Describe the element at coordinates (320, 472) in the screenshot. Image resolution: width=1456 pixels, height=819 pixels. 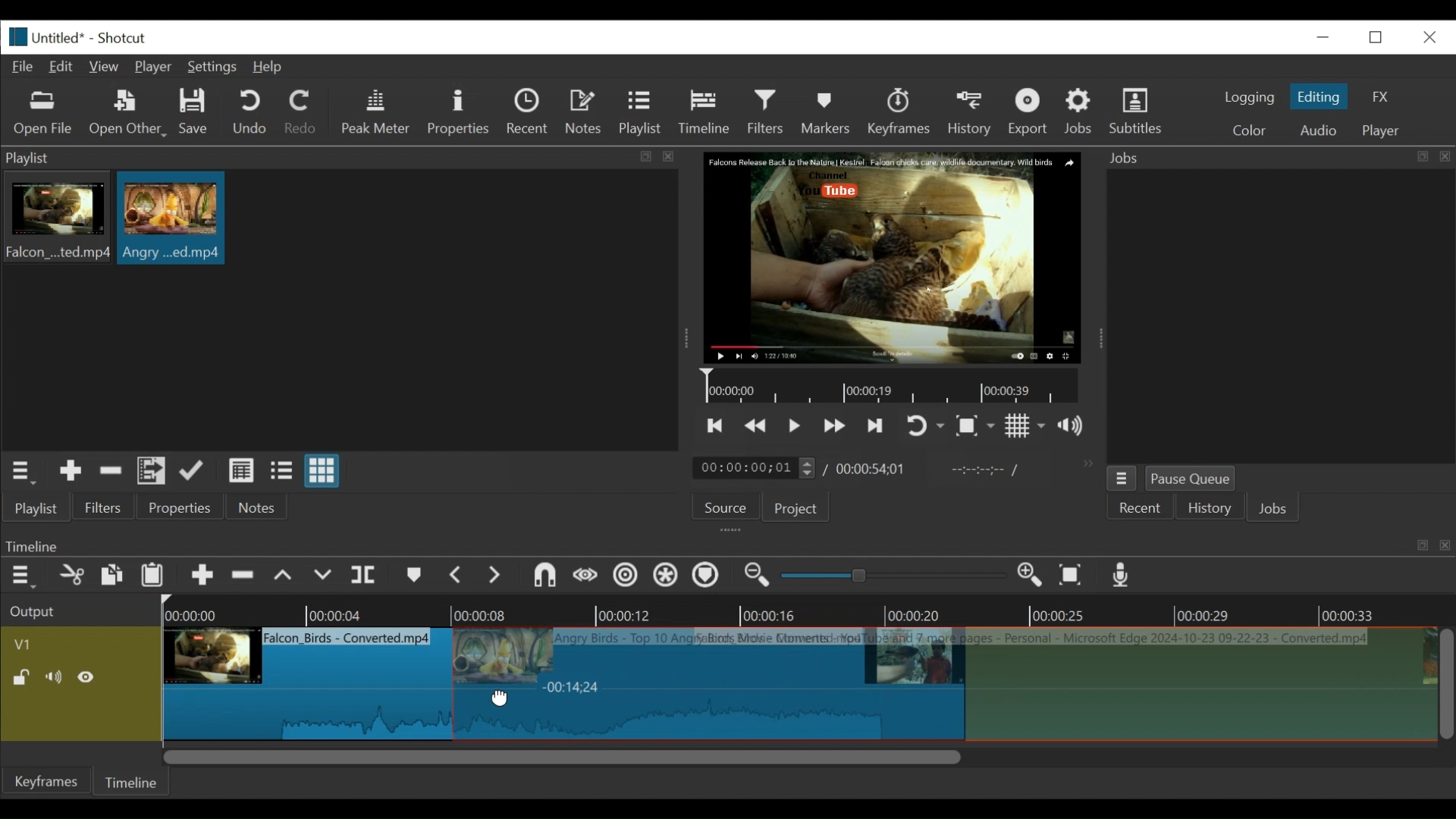
I see `view as icons` at that location.